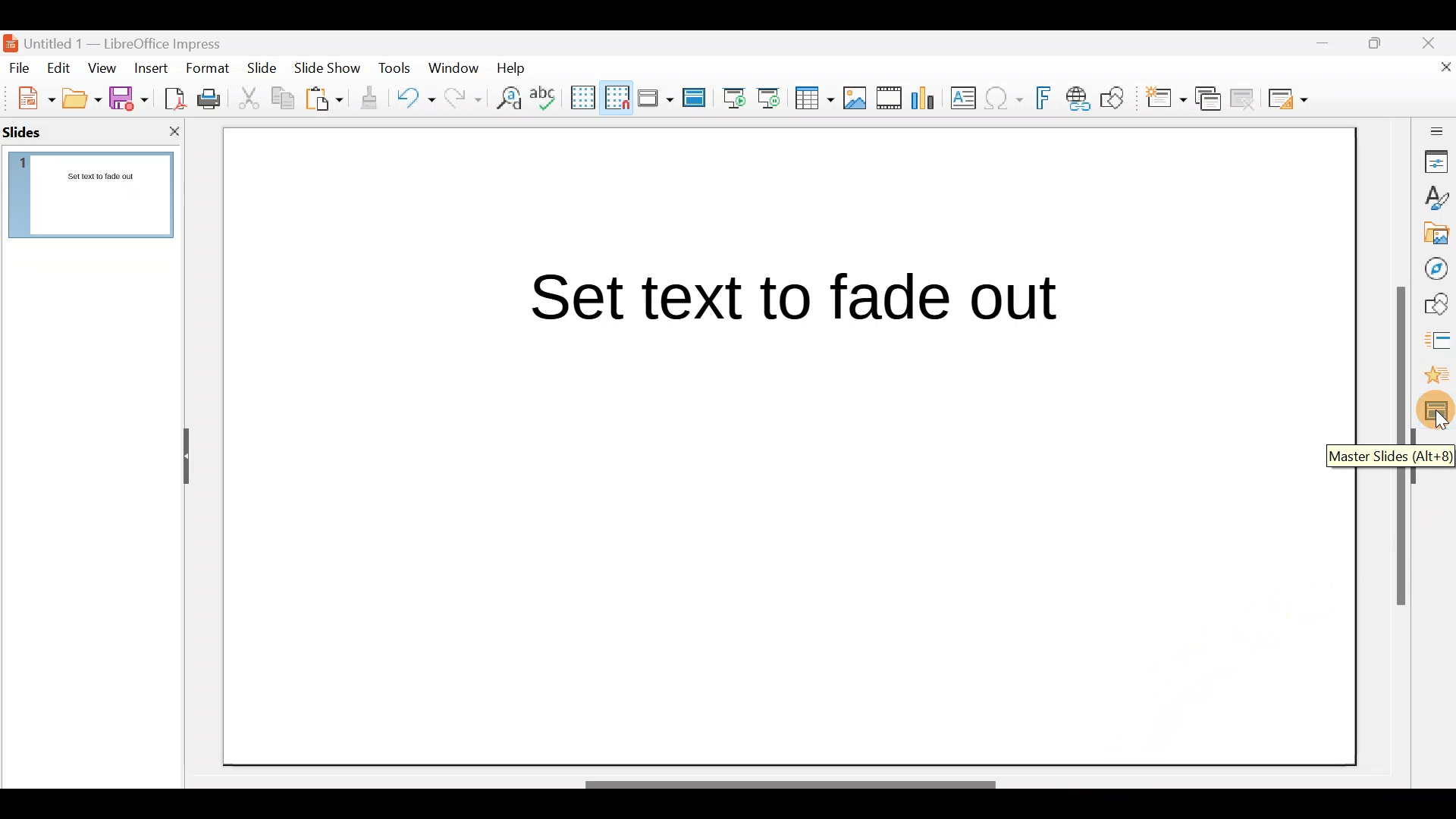  Describe the element at coordinates (815, 99) in the screenshot. I see `Table` at that location.